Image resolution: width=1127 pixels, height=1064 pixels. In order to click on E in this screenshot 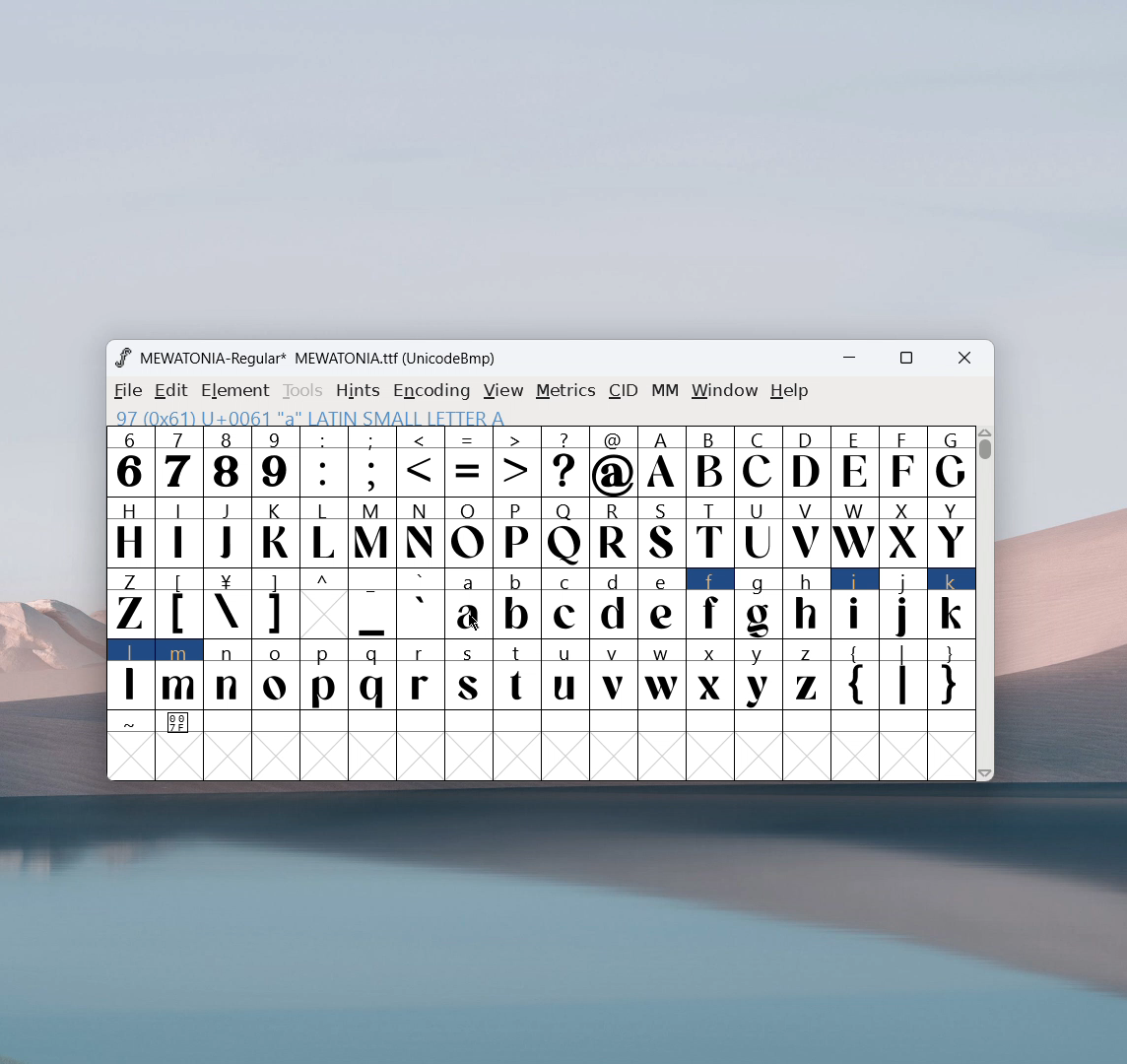, I will do `click(854, 461)`.